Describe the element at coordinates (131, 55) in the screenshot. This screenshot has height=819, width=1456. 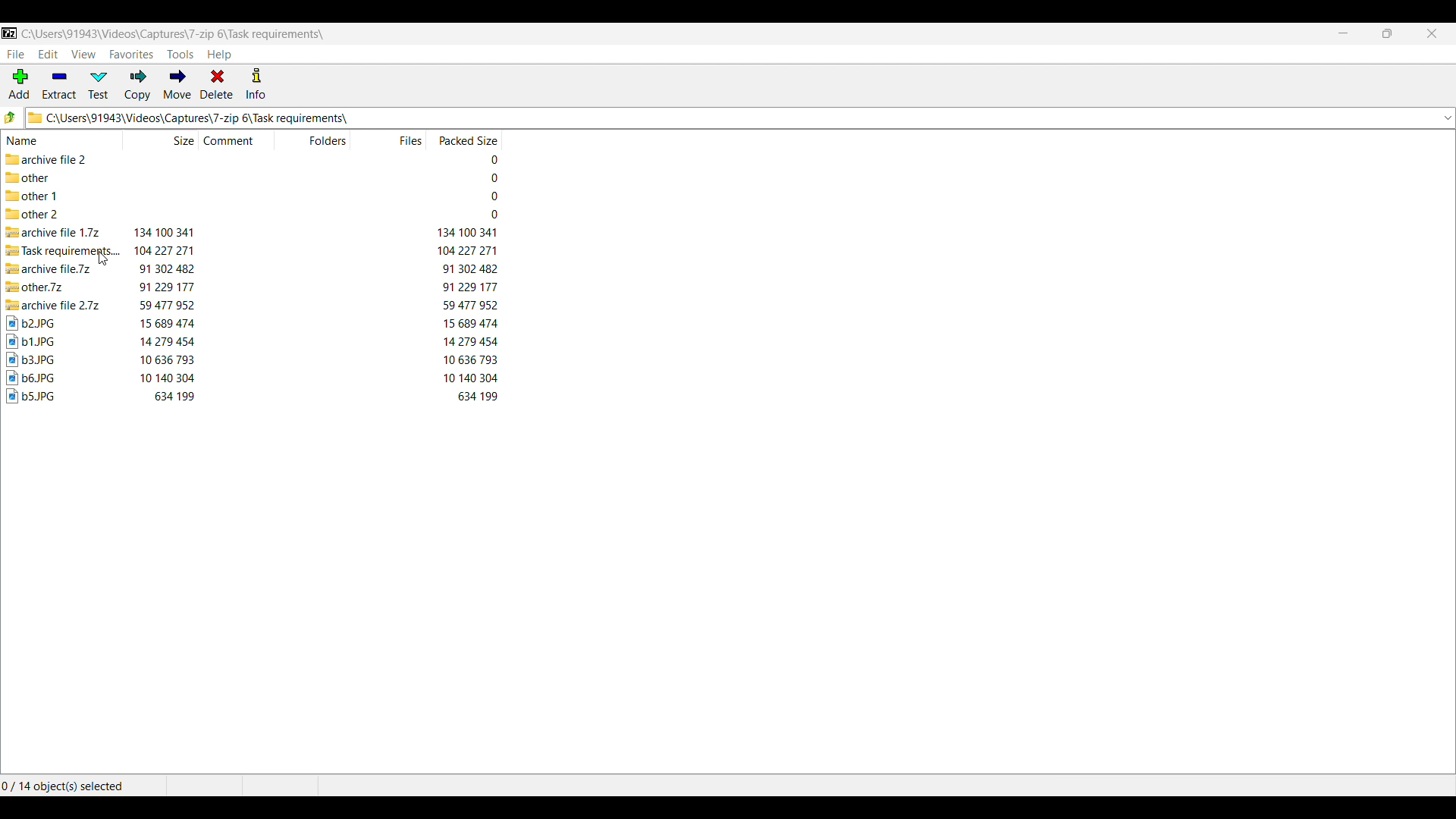
I see `Favorites menu` at that location.